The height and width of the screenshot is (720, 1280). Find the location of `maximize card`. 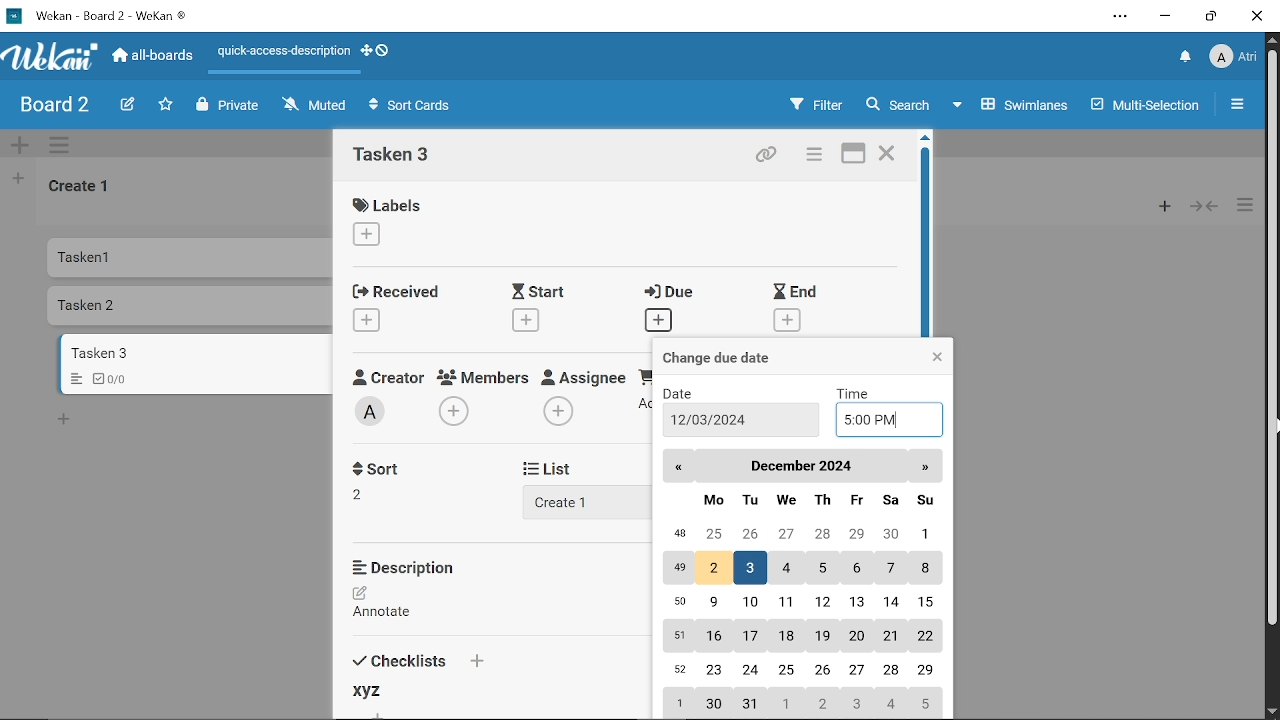

maximize card is located at coordinates (855, 155).